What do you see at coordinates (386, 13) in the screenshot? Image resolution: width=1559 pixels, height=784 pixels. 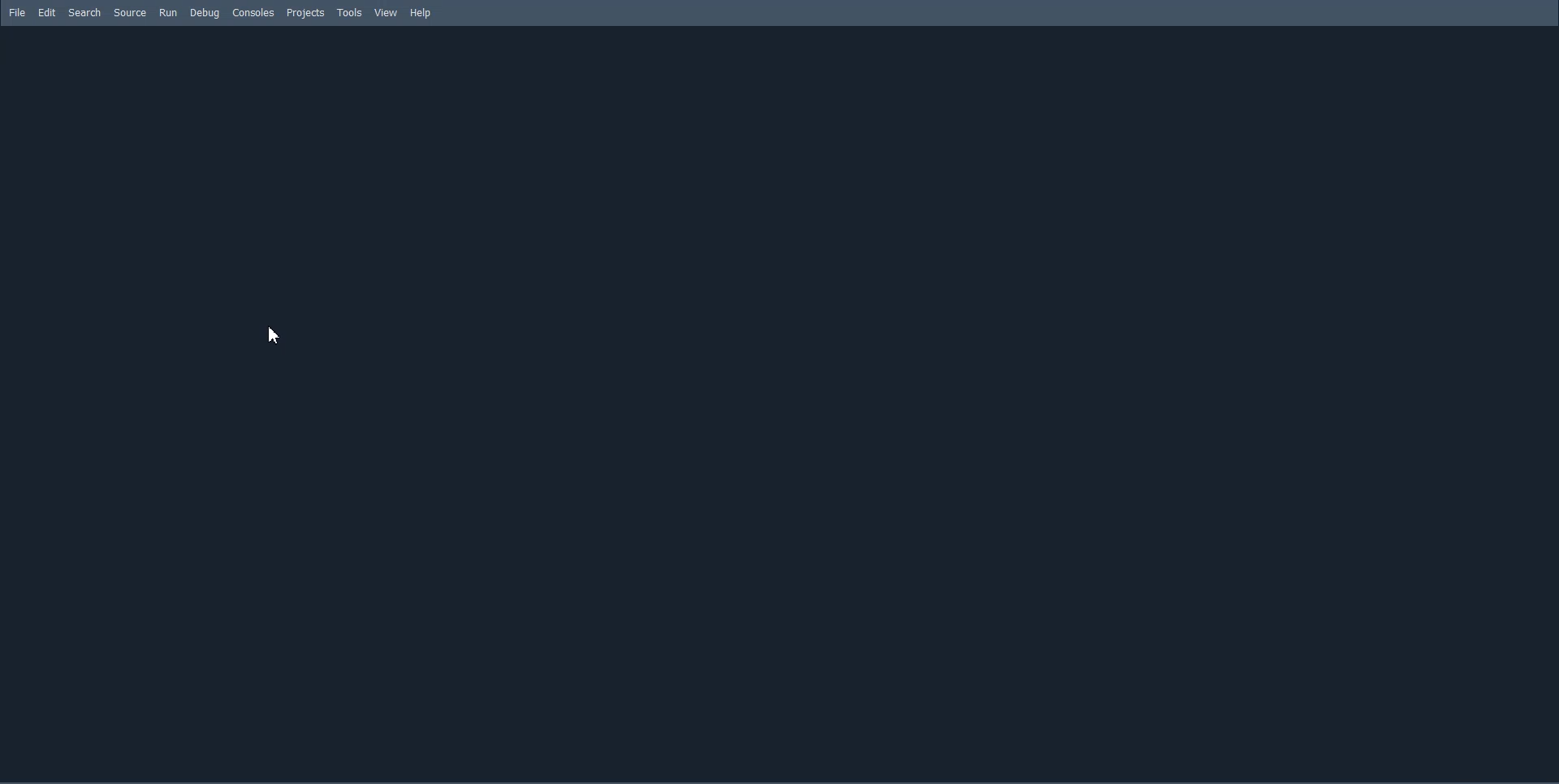 I see `View` at bounding box center [386, 13].